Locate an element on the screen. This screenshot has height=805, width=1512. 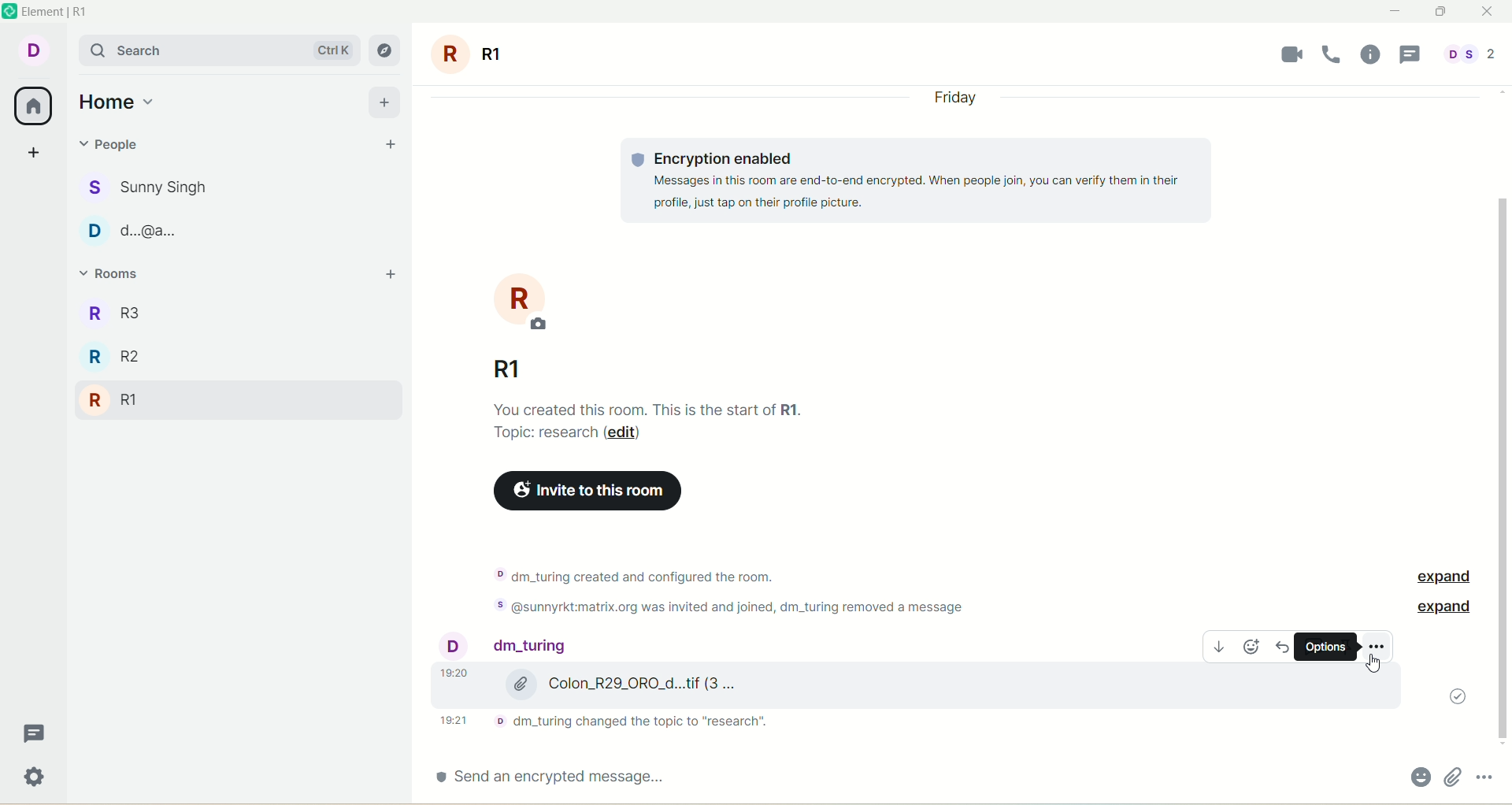
rooms is located at coordinates (121, 276).